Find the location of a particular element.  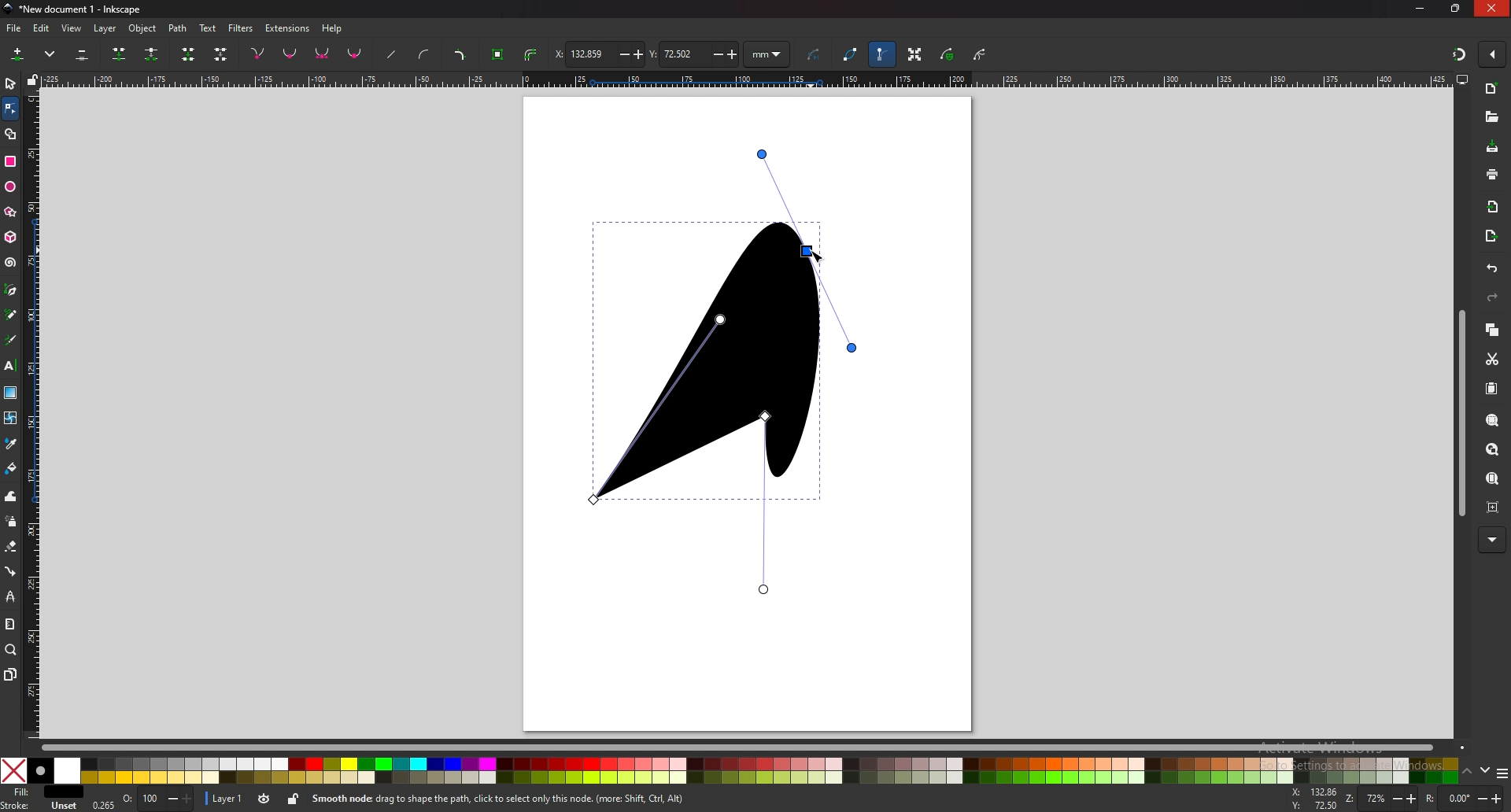

mesh is located at coordinates (11, 417).